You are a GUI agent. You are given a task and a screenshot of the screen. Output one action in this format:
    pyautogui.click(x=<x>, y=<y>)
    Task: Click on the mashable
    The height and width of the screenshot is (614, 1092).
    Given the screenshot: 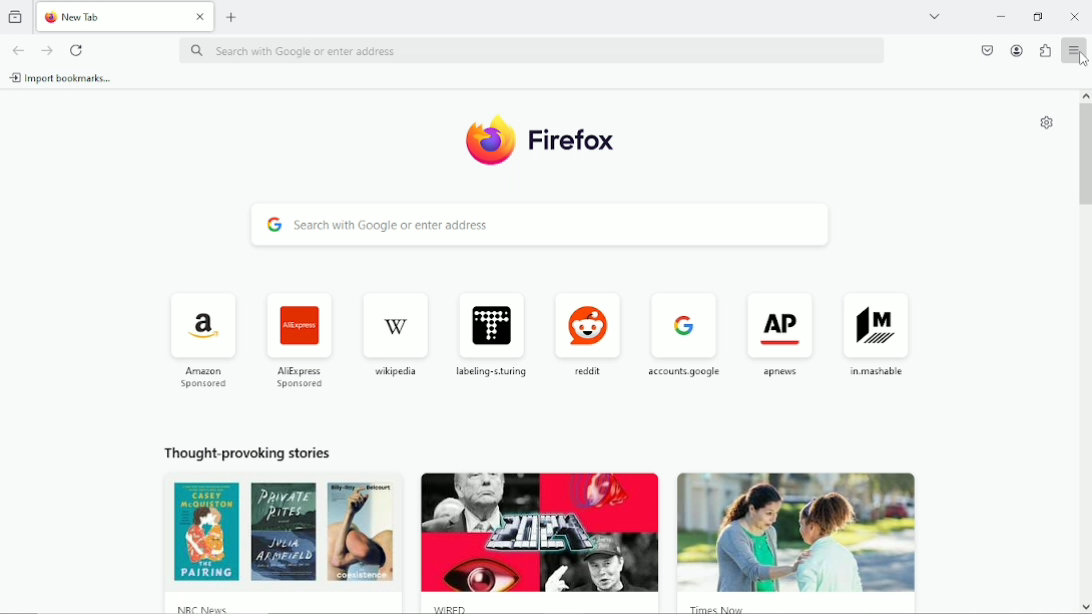 What is the action you would take?
    pyautogui.click(x=881, y=332)
    